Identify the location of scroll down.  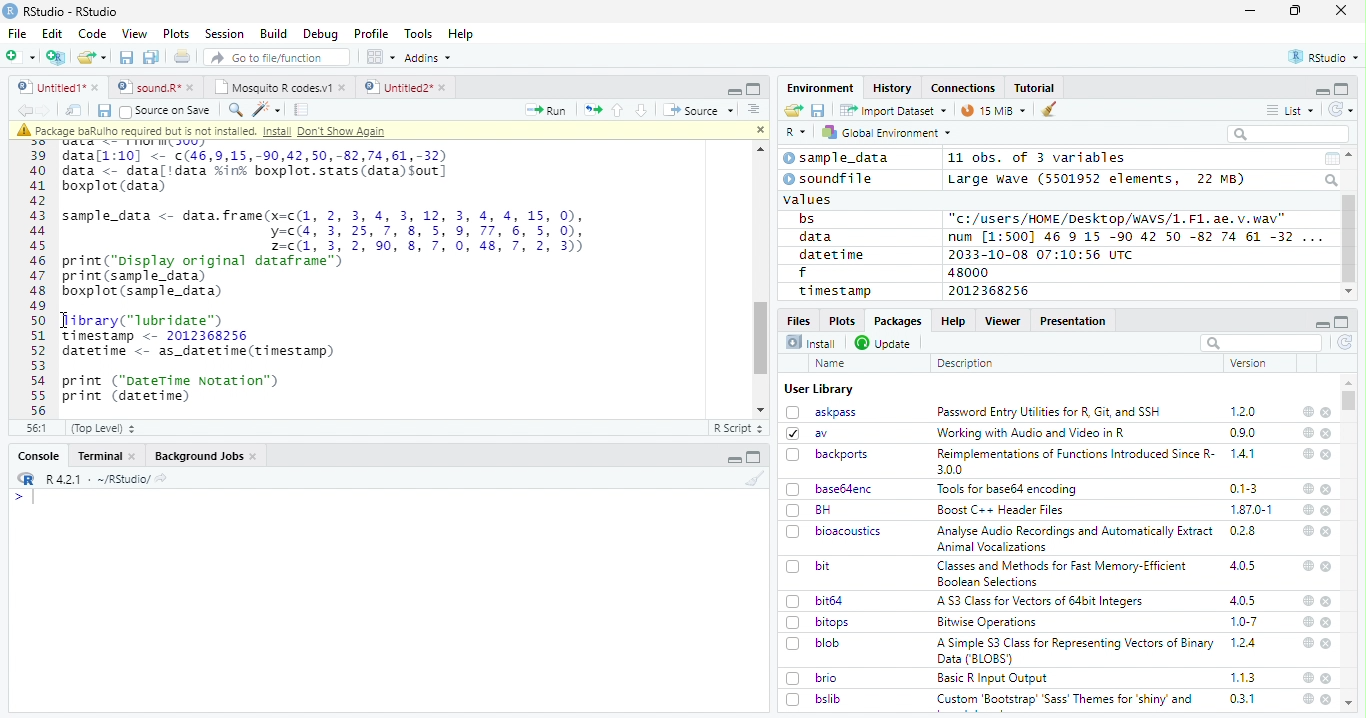
(1348, 292).